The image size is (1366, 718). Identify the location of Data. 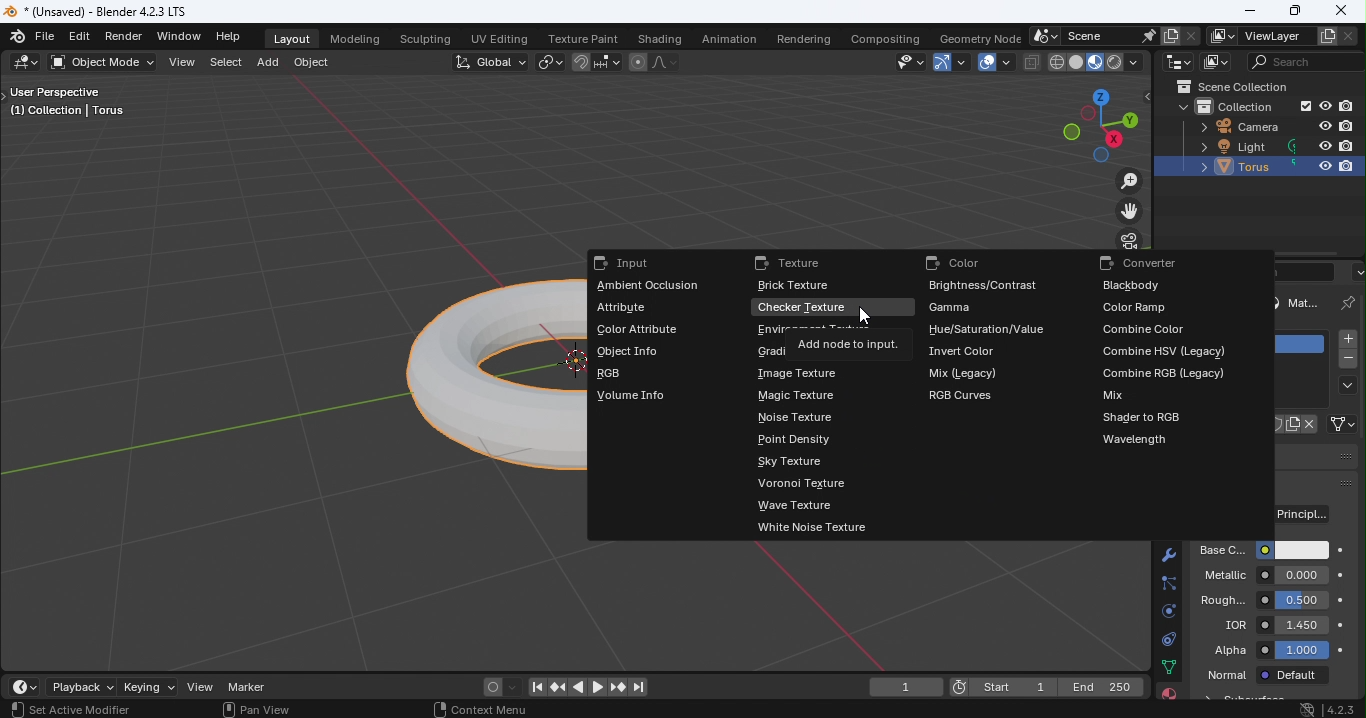
(1164, 666).